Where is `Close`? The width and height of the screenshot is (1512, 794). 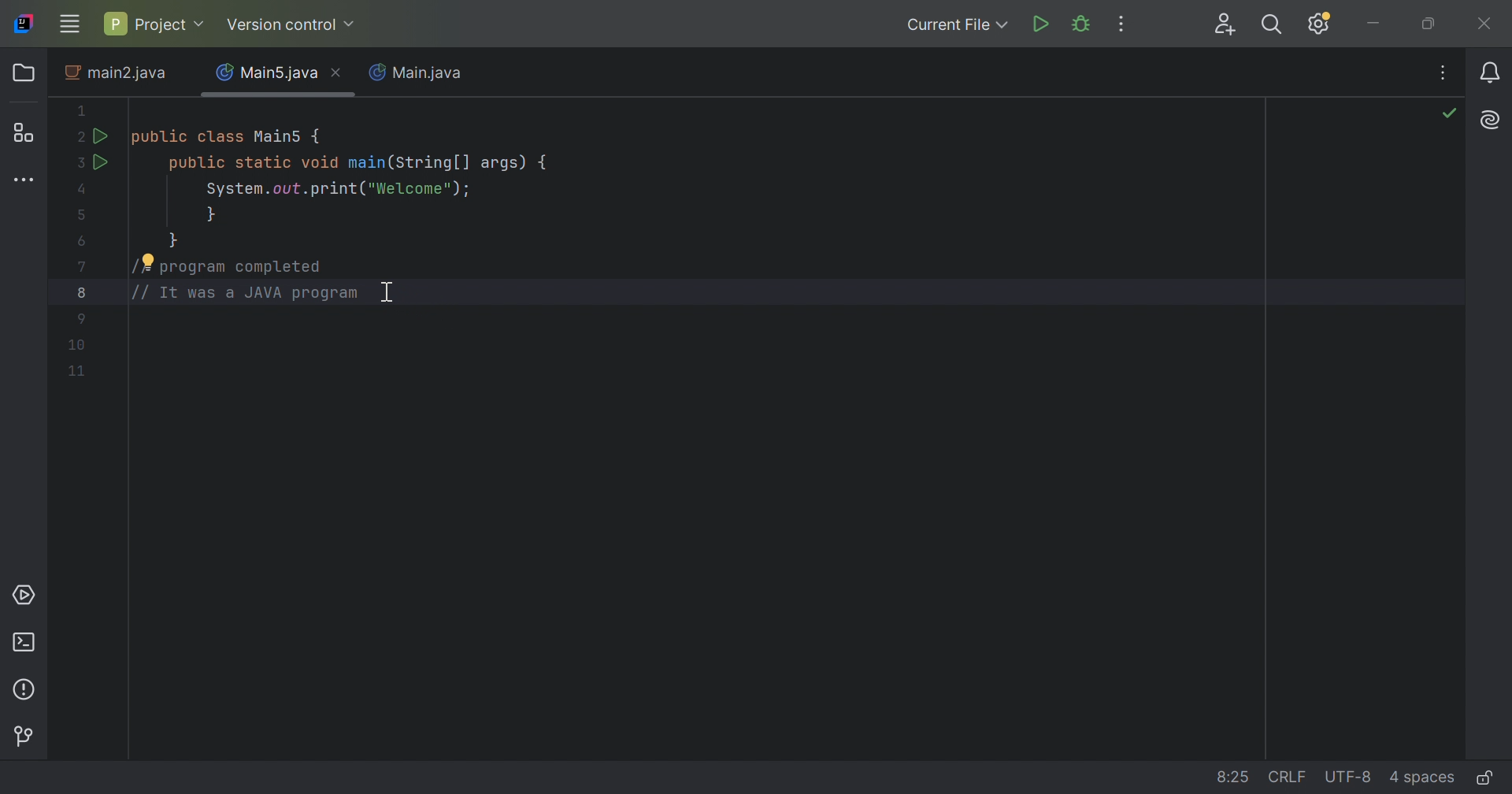
Close is located at coordinates (340, 74).